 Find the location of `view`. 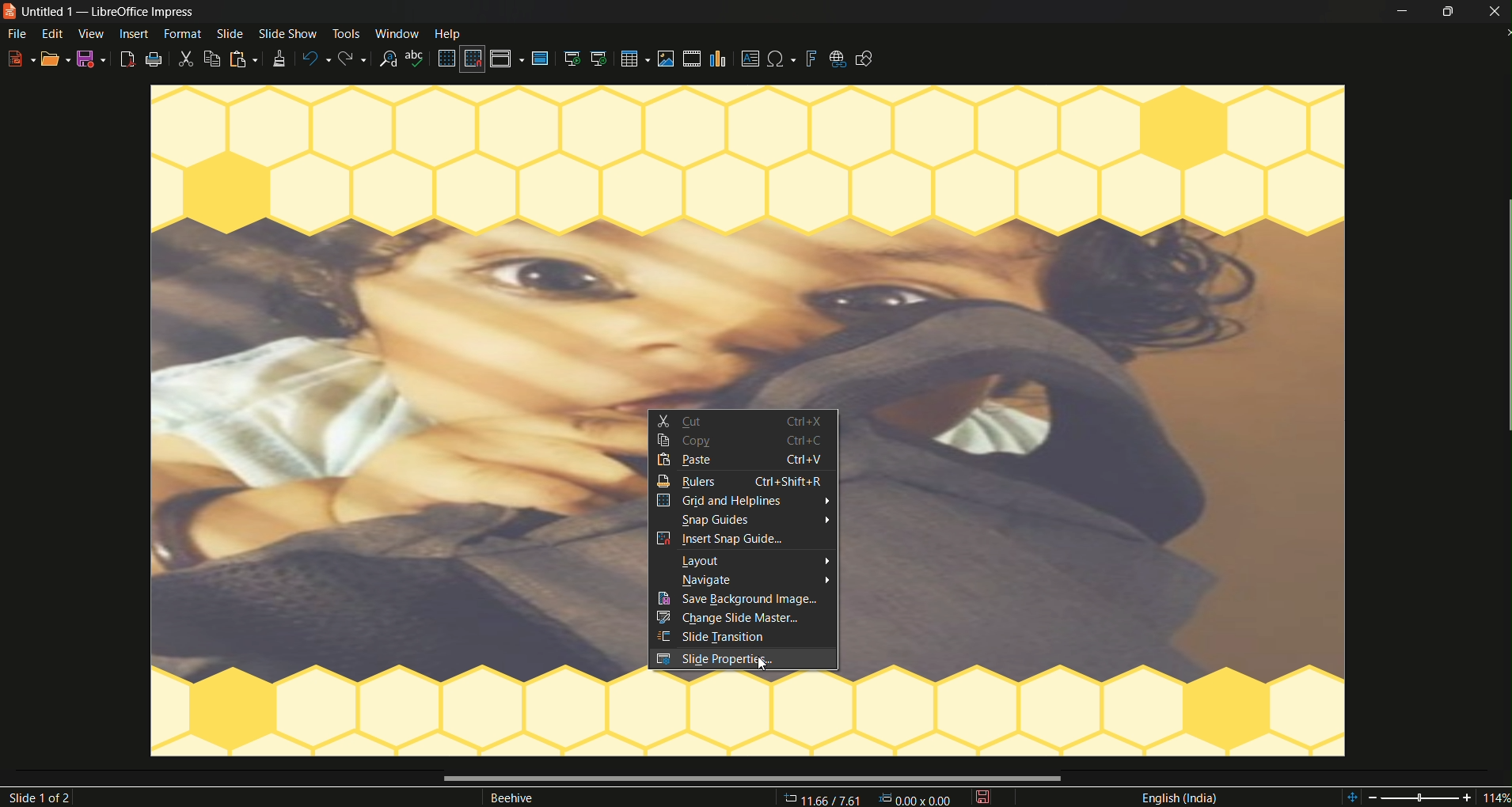

view is located at coordinates (92, 34).